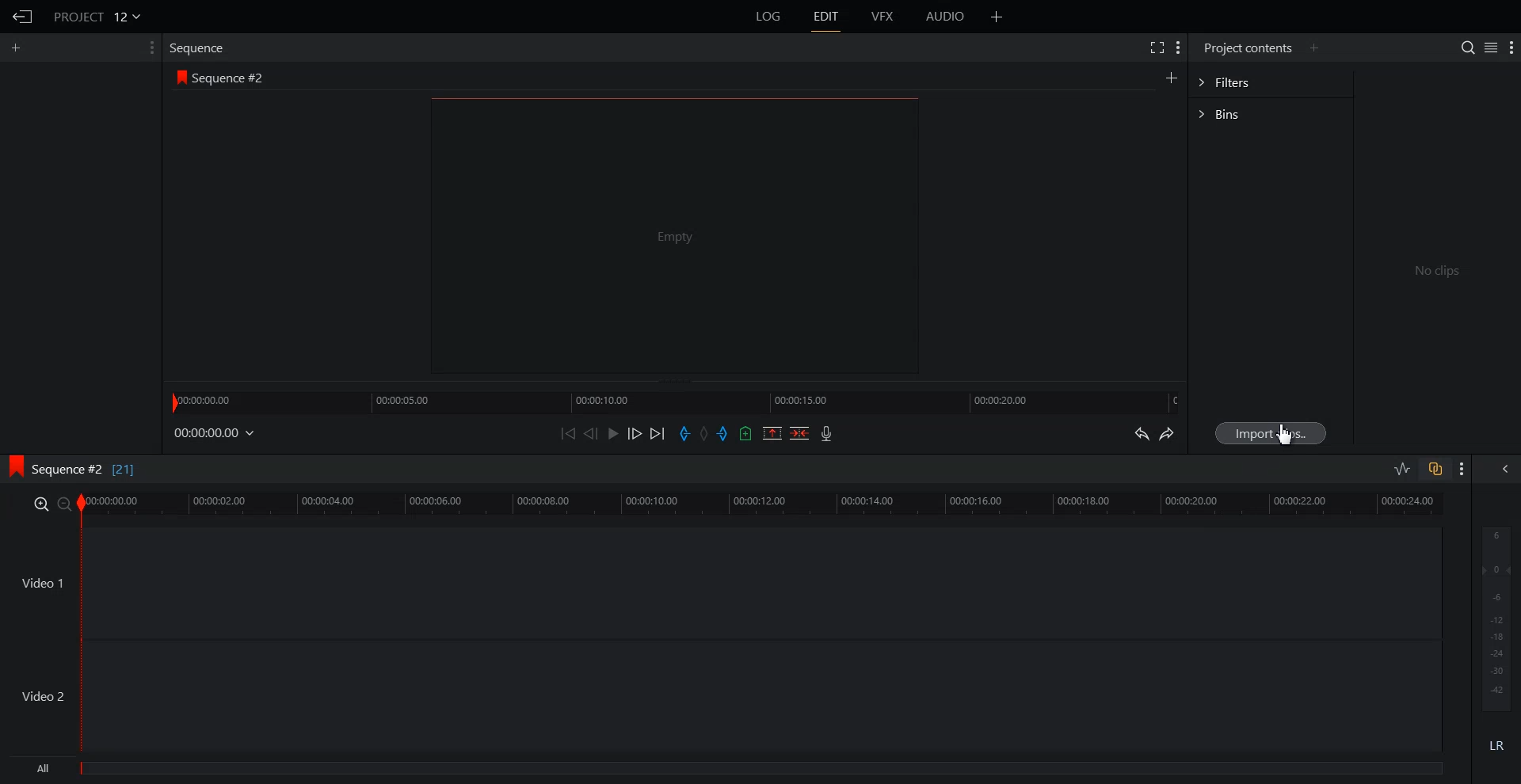  What do you see at coordinates (828, 435) in the screenshot?
I see `Record Video` at bounding box center [828, 435].